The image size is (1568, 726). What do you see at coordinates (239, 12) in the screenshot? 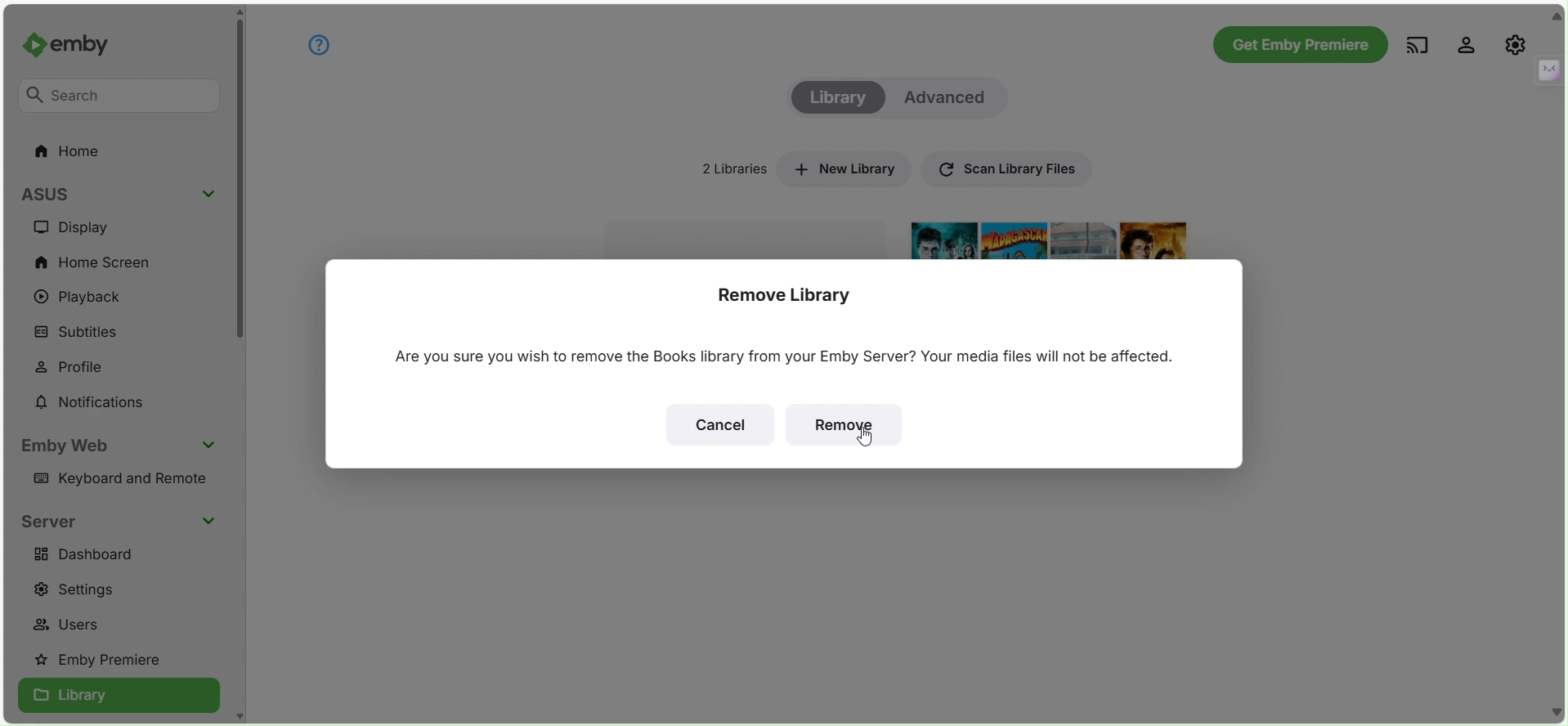
I see `move up` at bounding box center [239, 12].